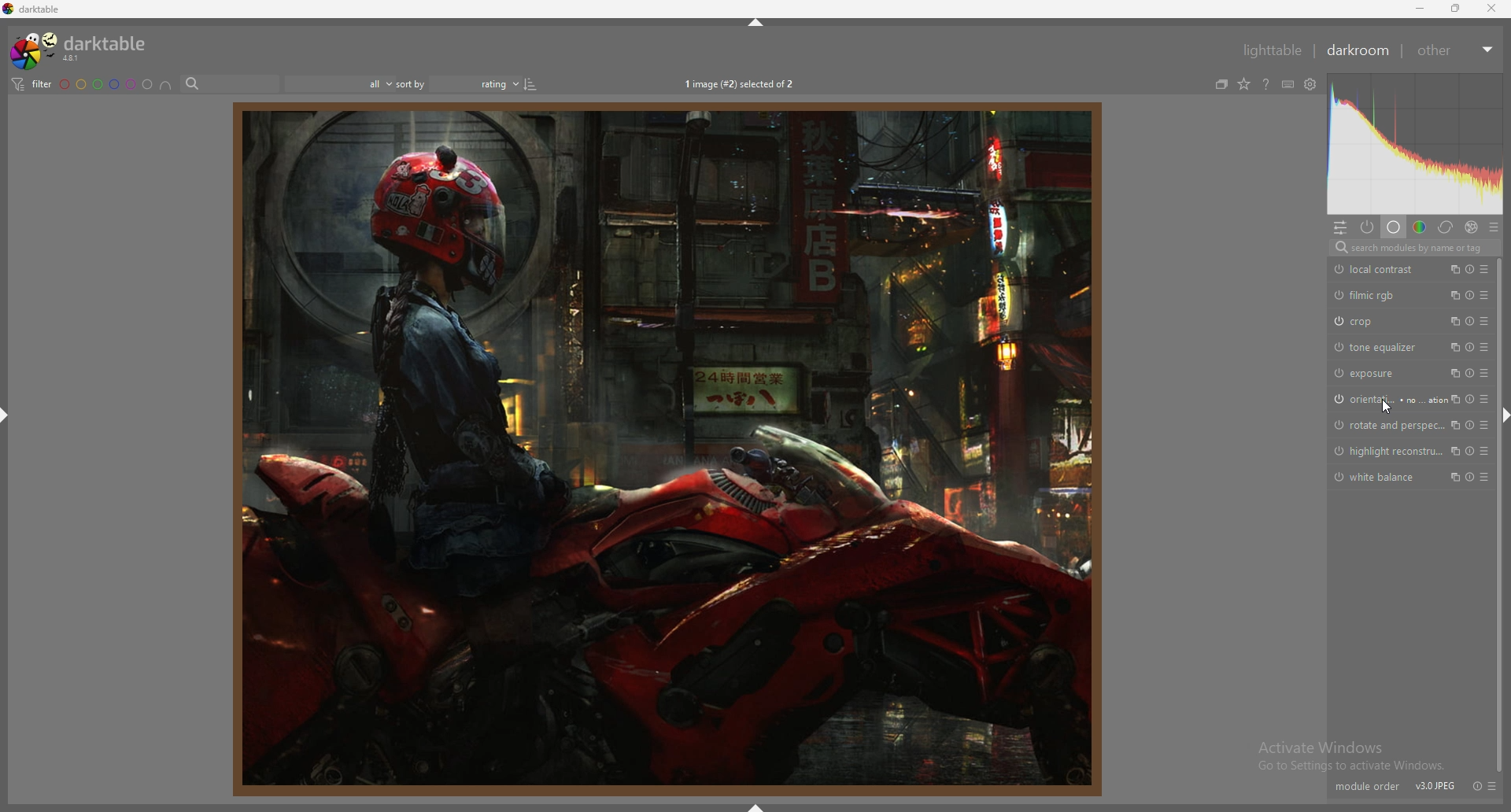  Describe the element at coordinates (531, 84) in the screenshot. I see `reverse sort order` at that location.